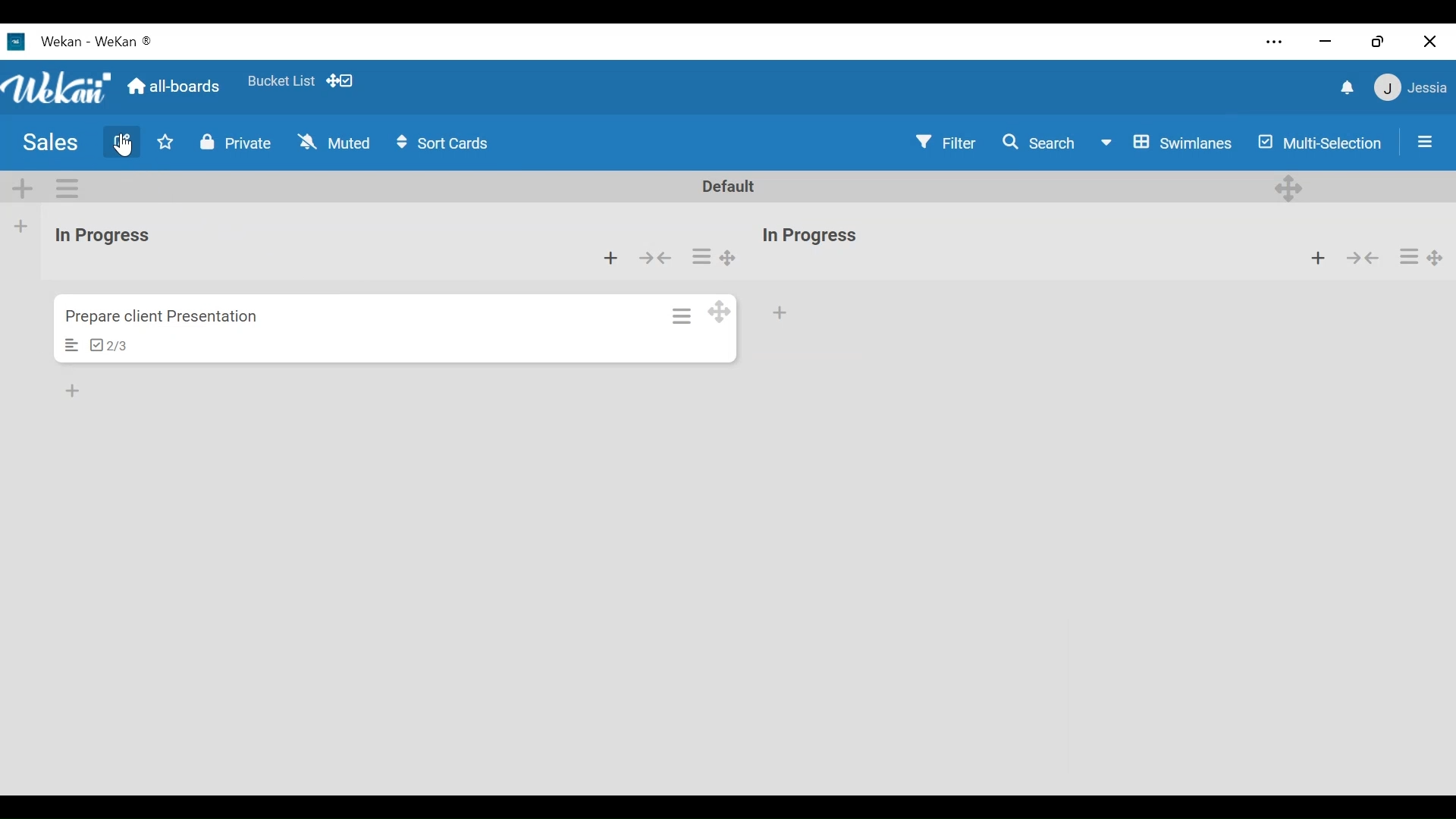  I want to click on Search, so click(1041, 143).